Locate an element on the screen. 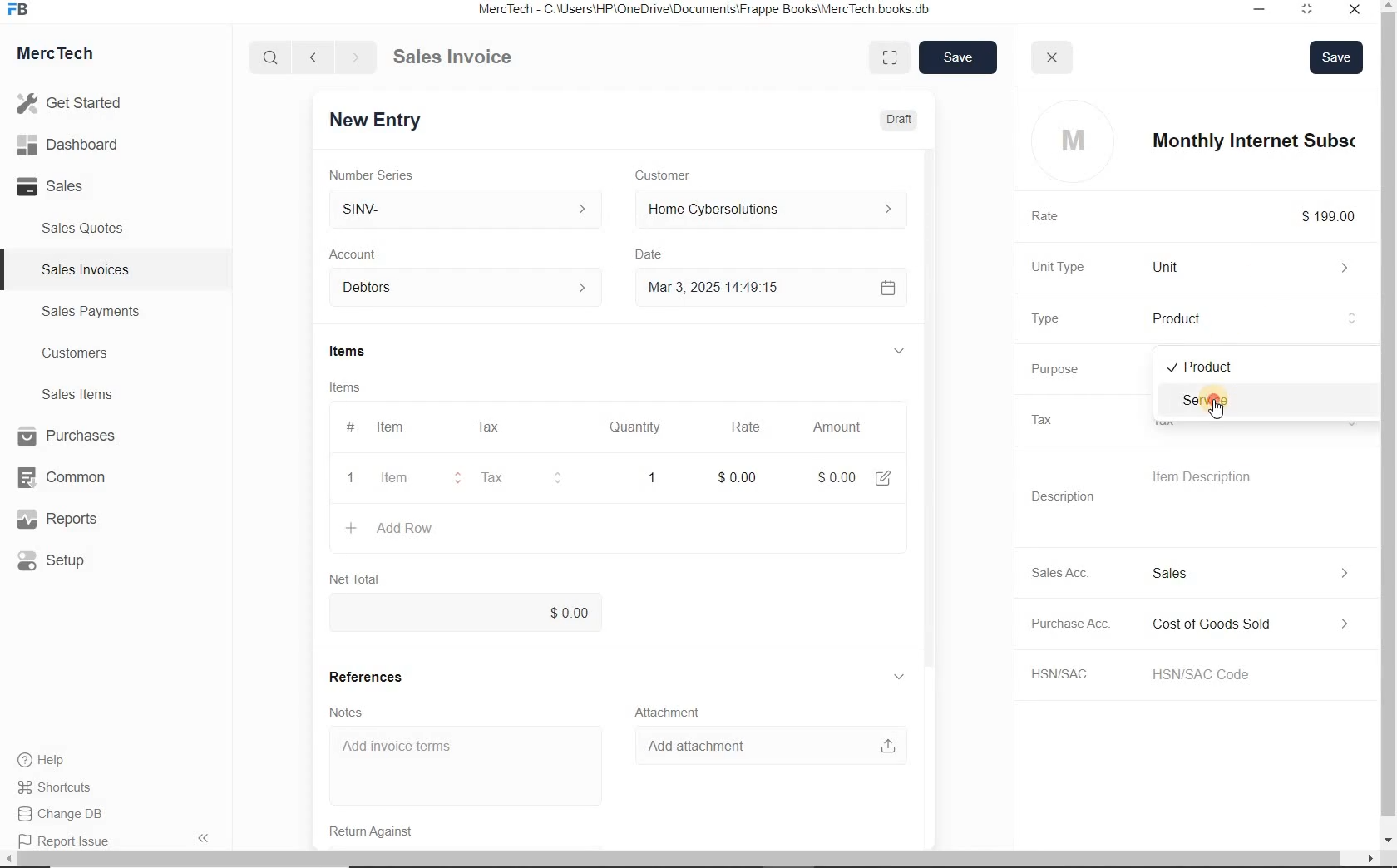  Shortcuts is located at coordinates (62, 788).